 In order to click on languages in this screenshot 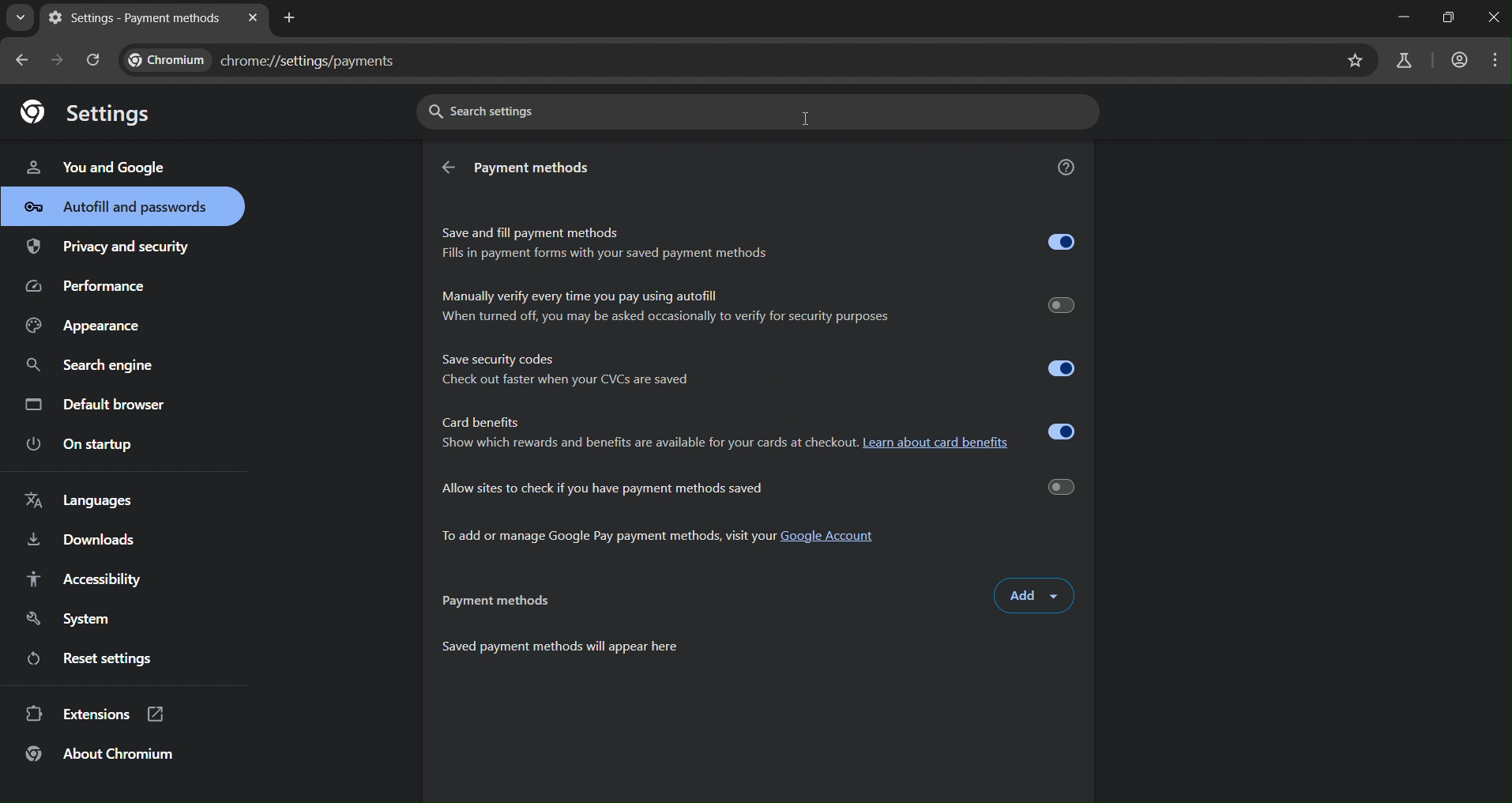, I will do `click(77, 500)`.